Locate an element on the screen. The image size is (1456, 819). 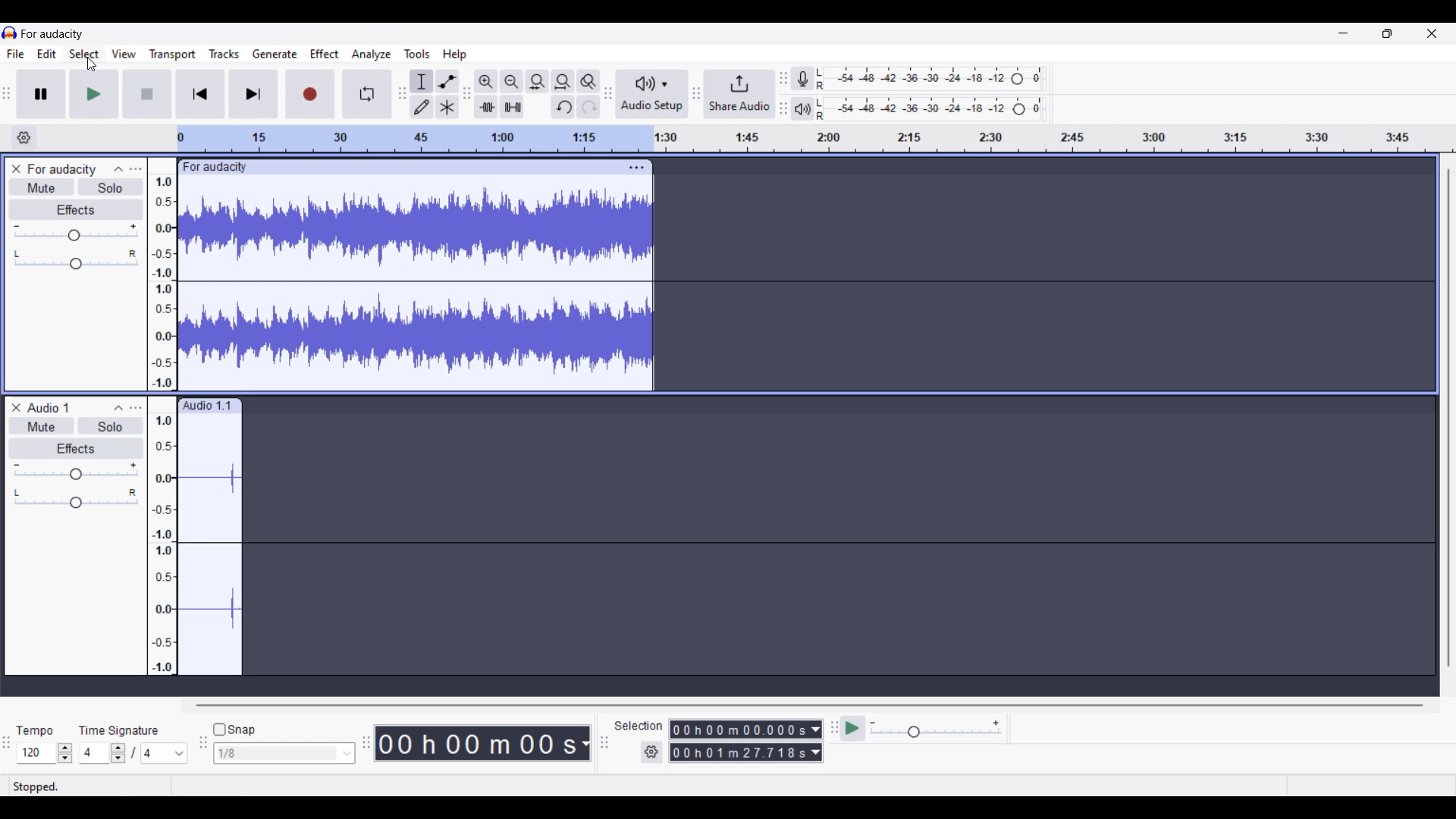
Draw tool is located at coordinates (422, 107).